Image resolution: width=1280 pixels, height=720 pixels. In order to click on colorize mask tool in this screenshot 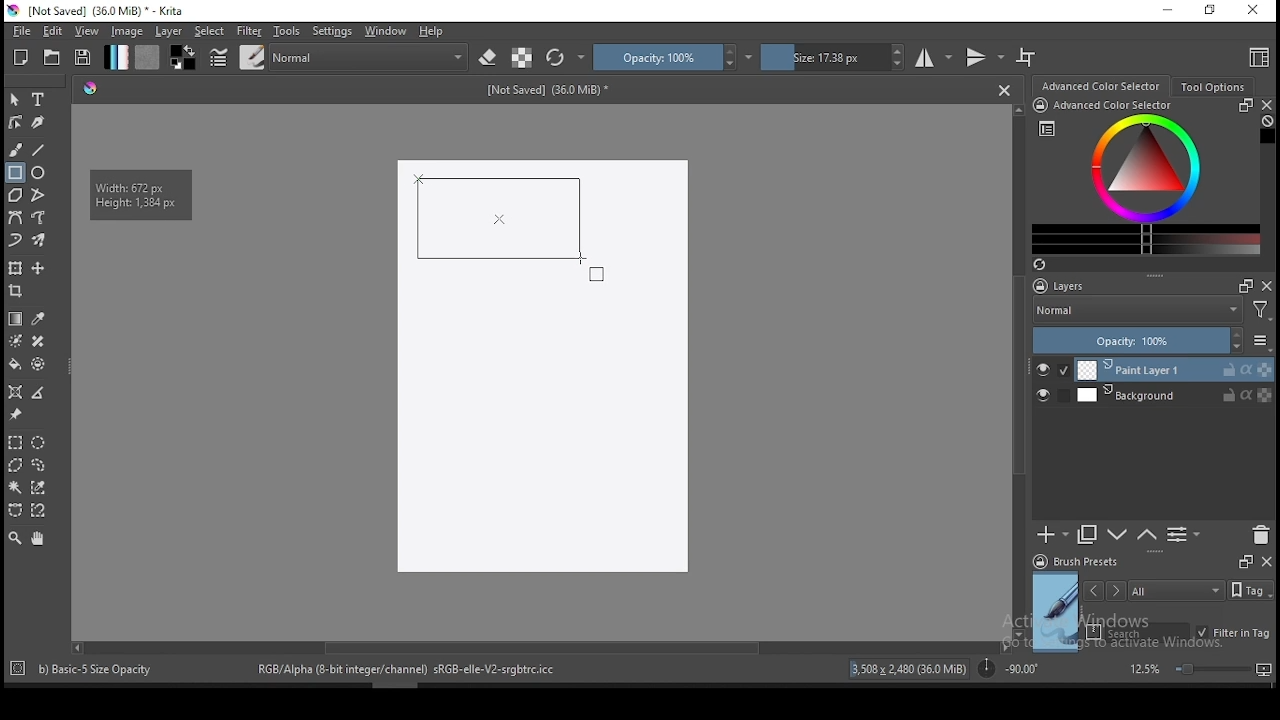, I will do `click(17, 341)`.